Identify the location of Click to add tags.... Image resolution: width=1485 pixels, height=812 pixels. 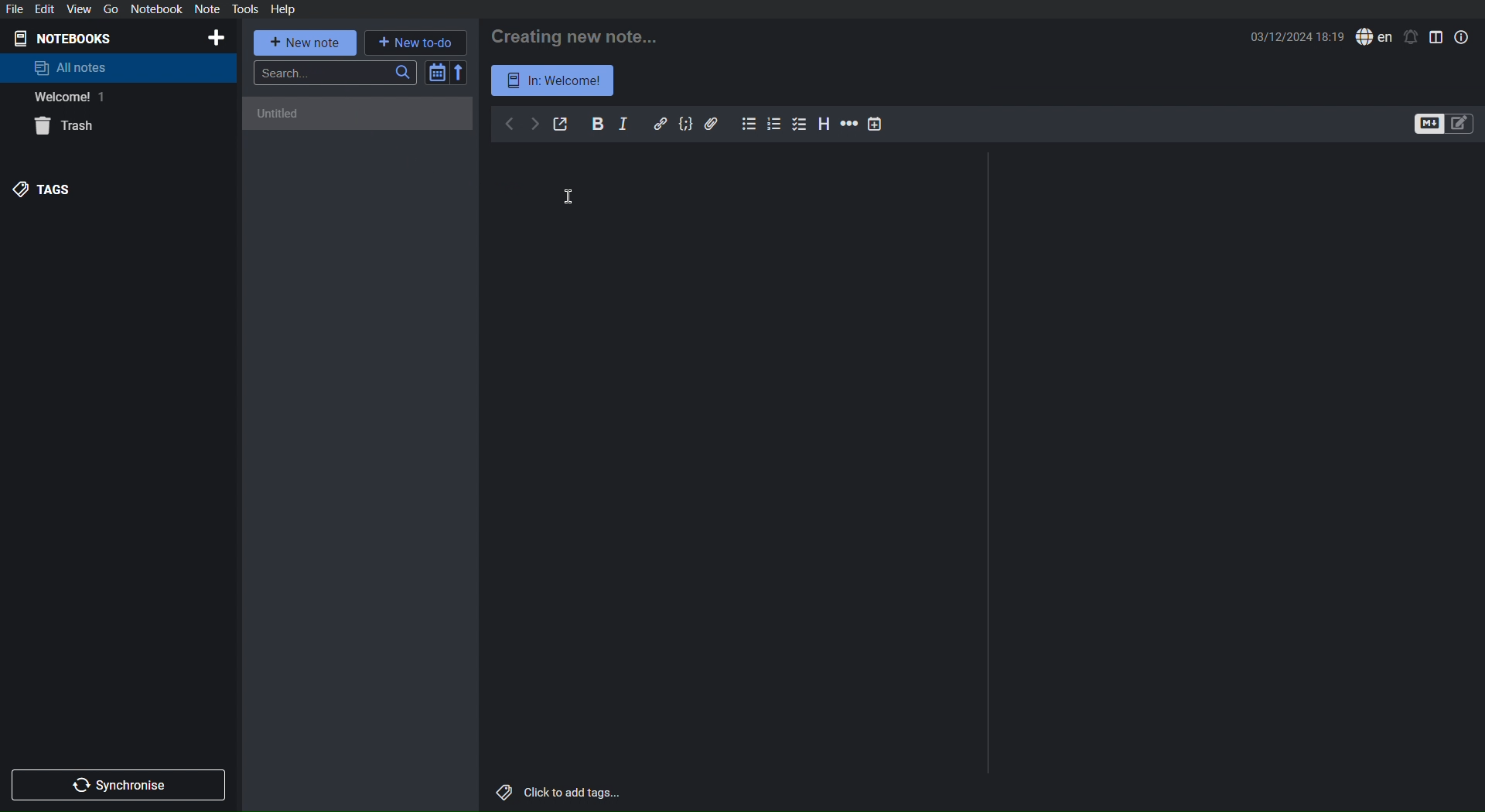
(556, 793).